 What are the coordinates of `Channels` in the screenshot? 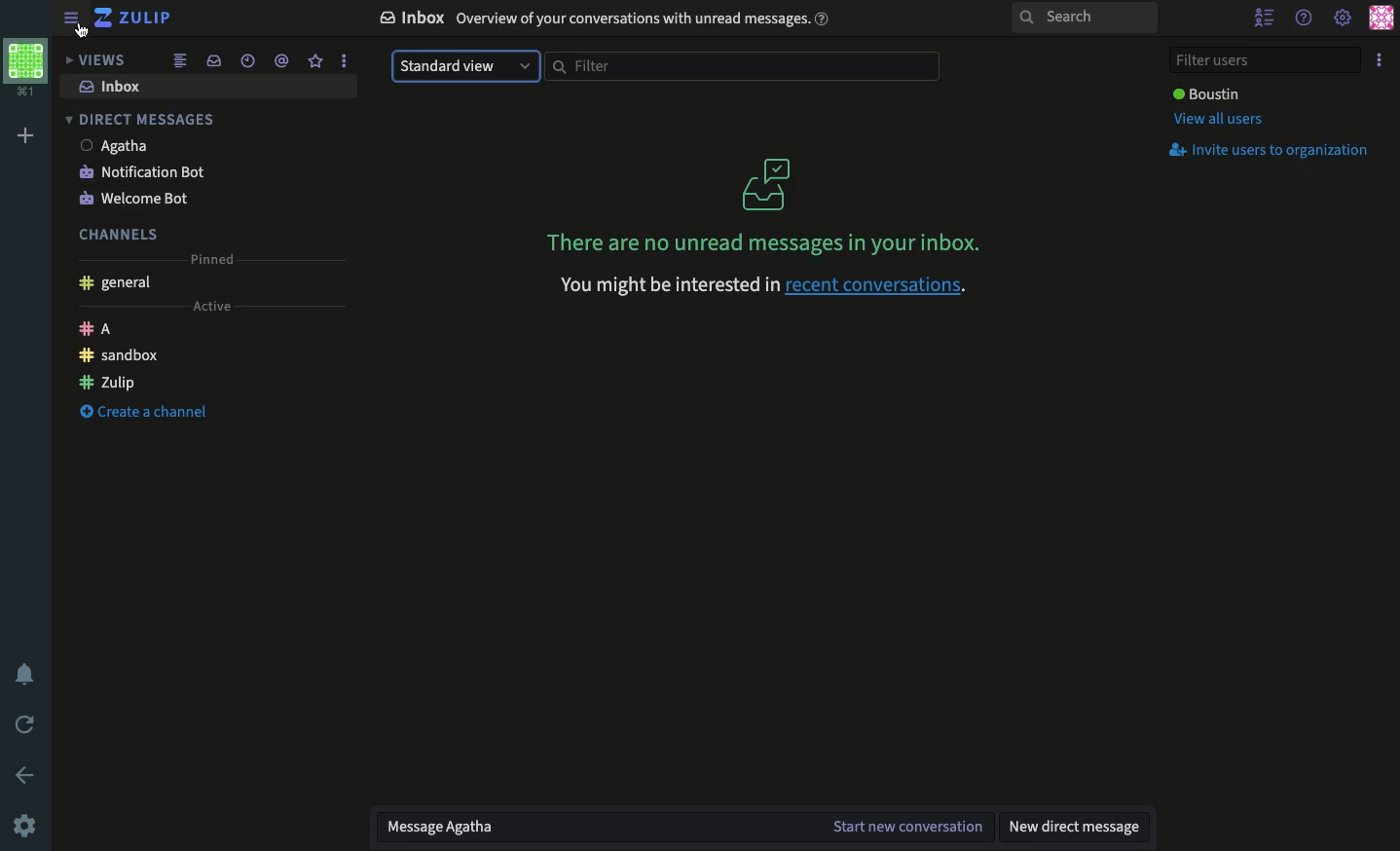 It's located at (124, 235).